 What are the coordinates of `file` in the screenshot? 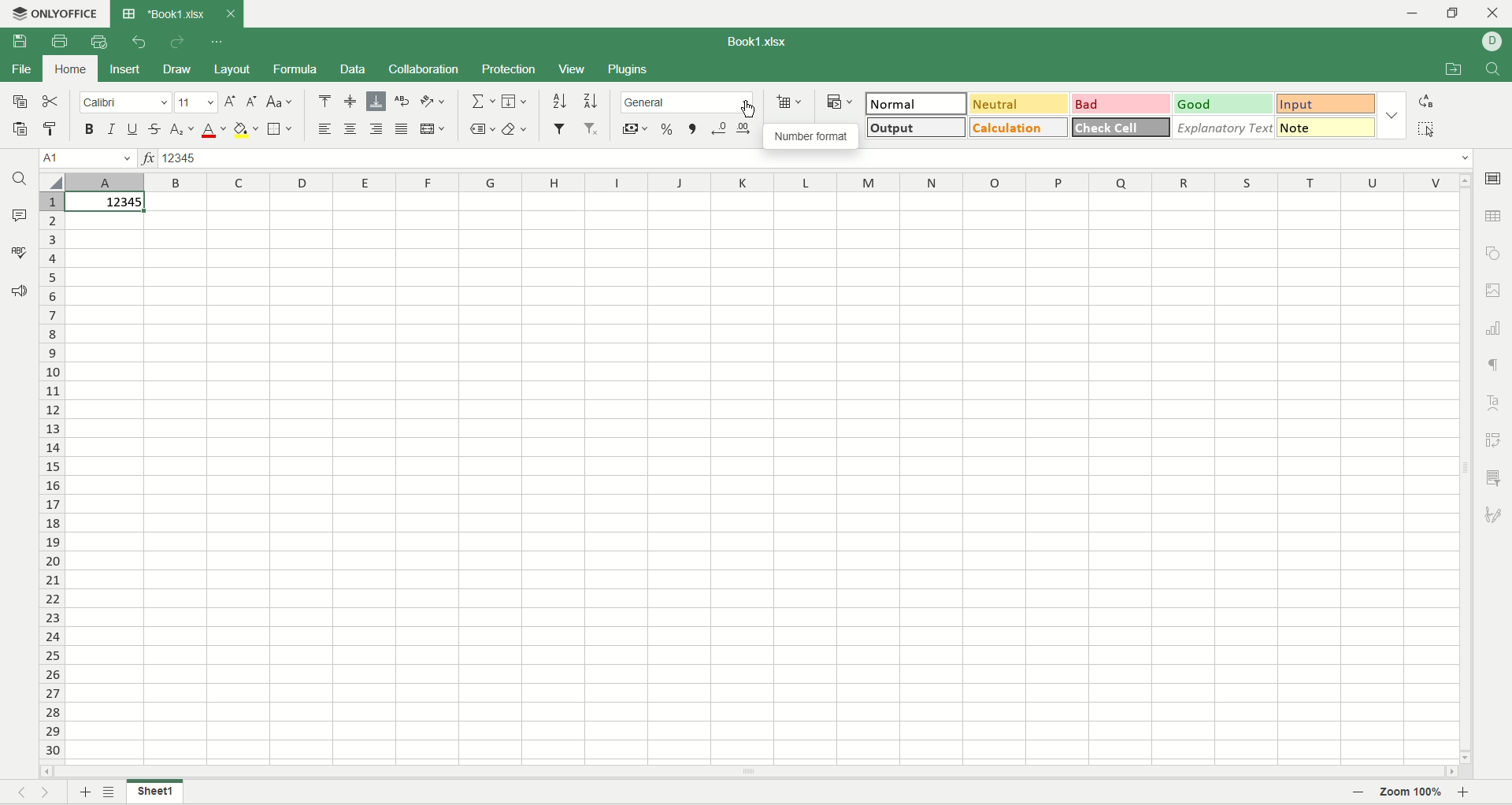 It's located at (24, 70).